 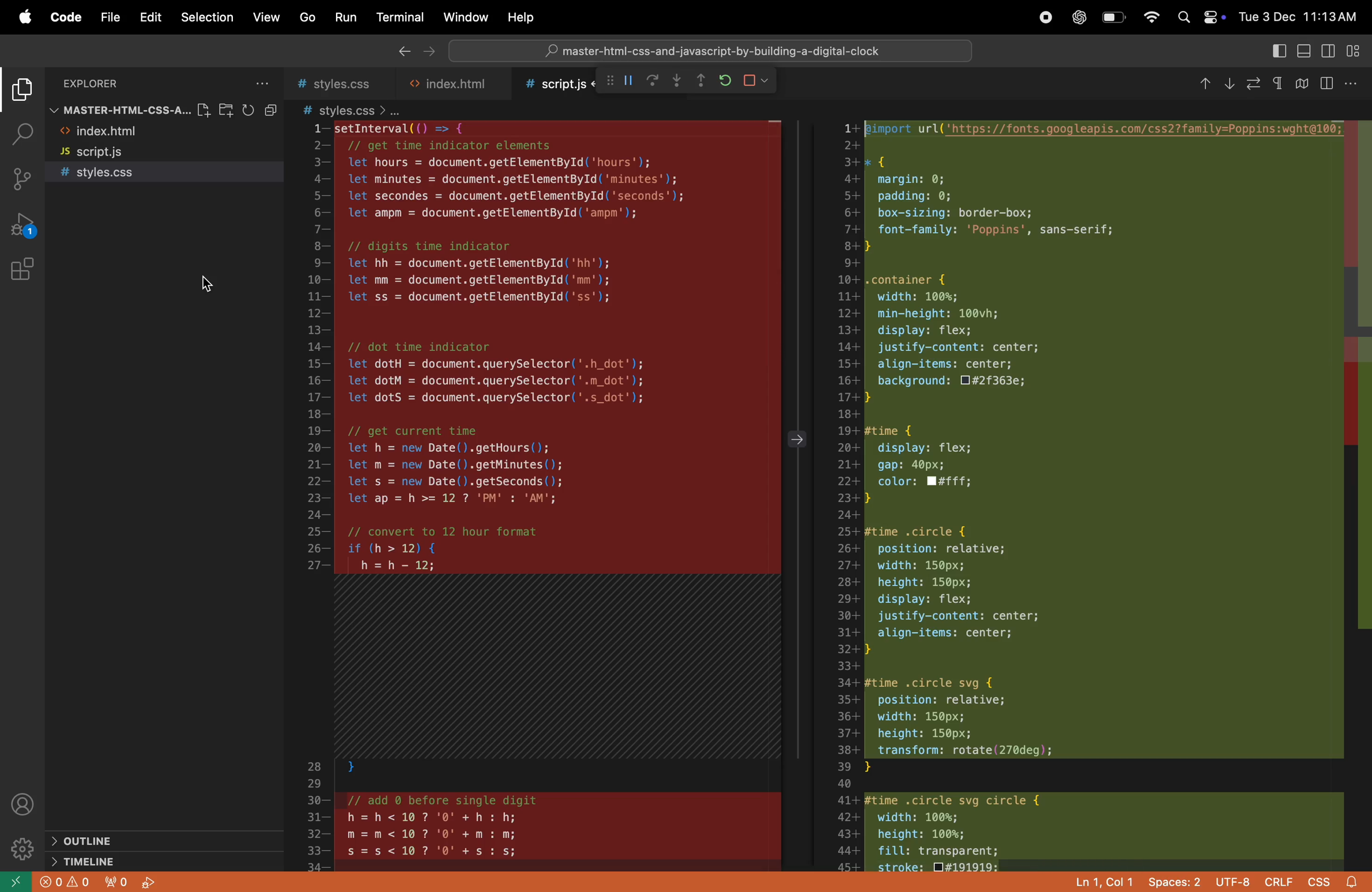 What do you see at coordinates (679, 82) in the screenshot?
I see `step out` at bounding box center [679, 82].